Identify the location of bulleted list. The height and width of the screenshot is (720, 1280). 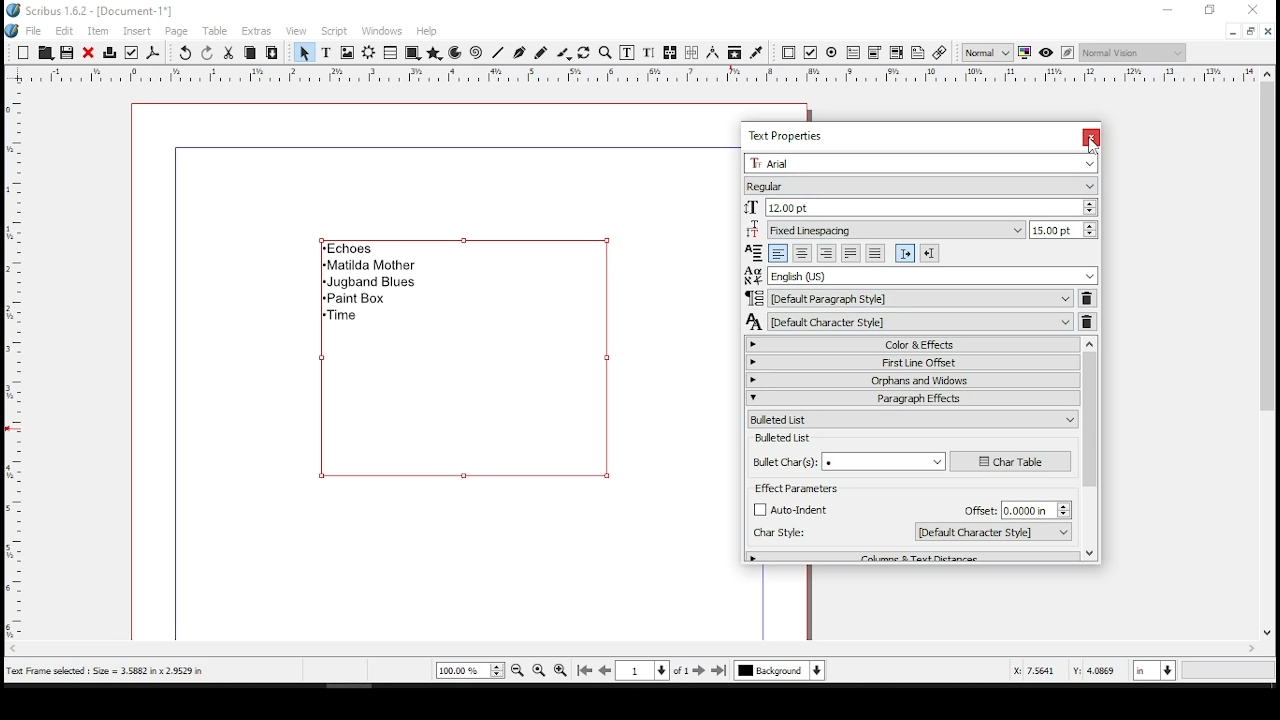
(914, 420).